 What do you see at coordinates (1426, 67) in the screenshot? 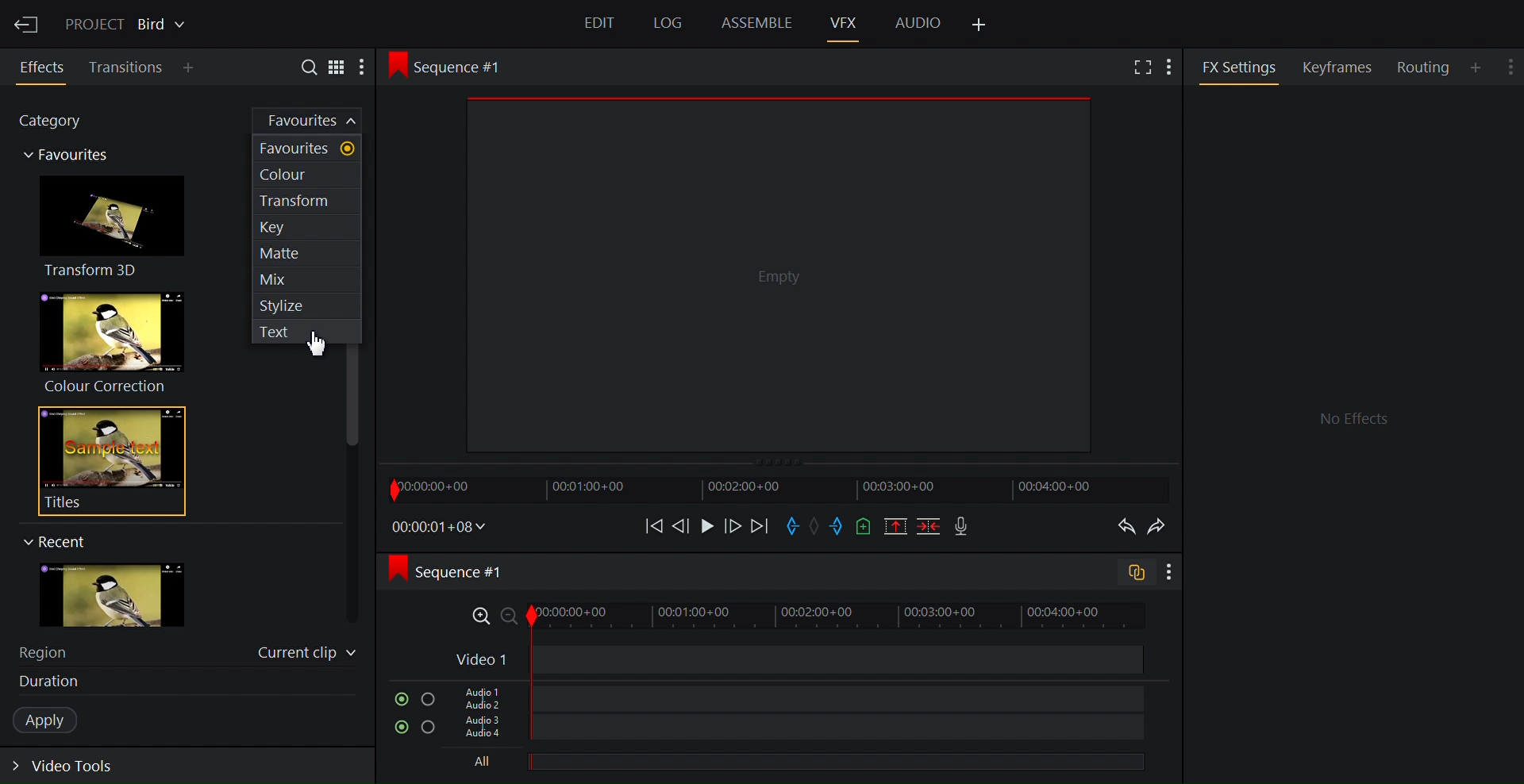
I see `Routing` at bounding box center [1426, 67].